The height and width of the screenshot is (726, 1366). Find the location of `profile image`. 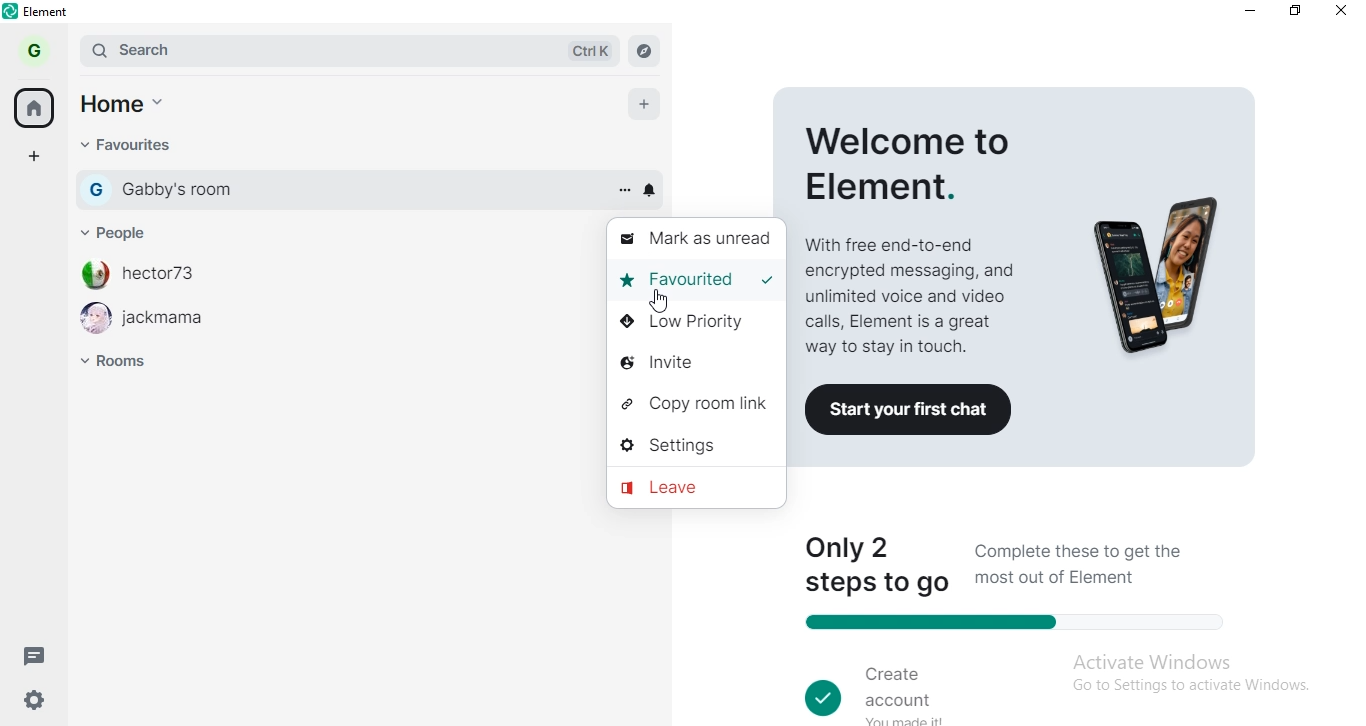

profile image is located at coordinates (94, 322).